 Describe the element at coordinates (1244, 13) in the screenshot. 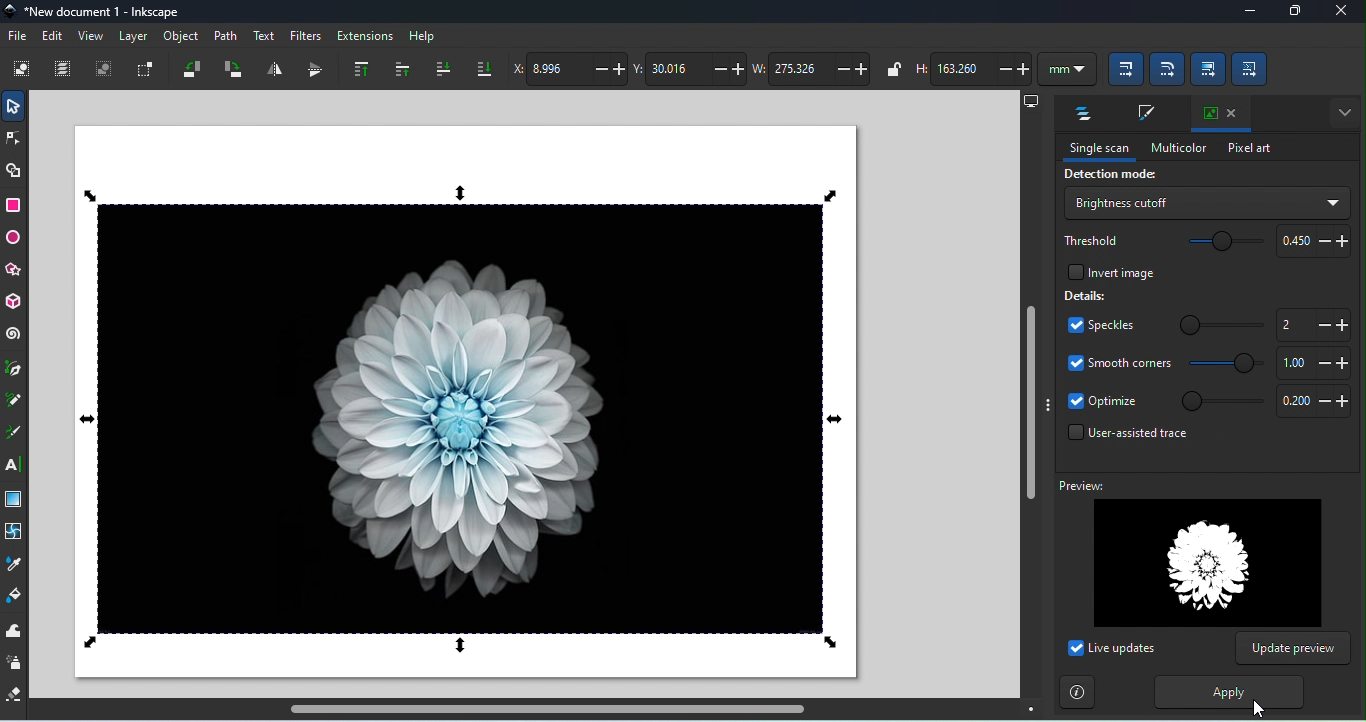

I see `Minimize` at that location.